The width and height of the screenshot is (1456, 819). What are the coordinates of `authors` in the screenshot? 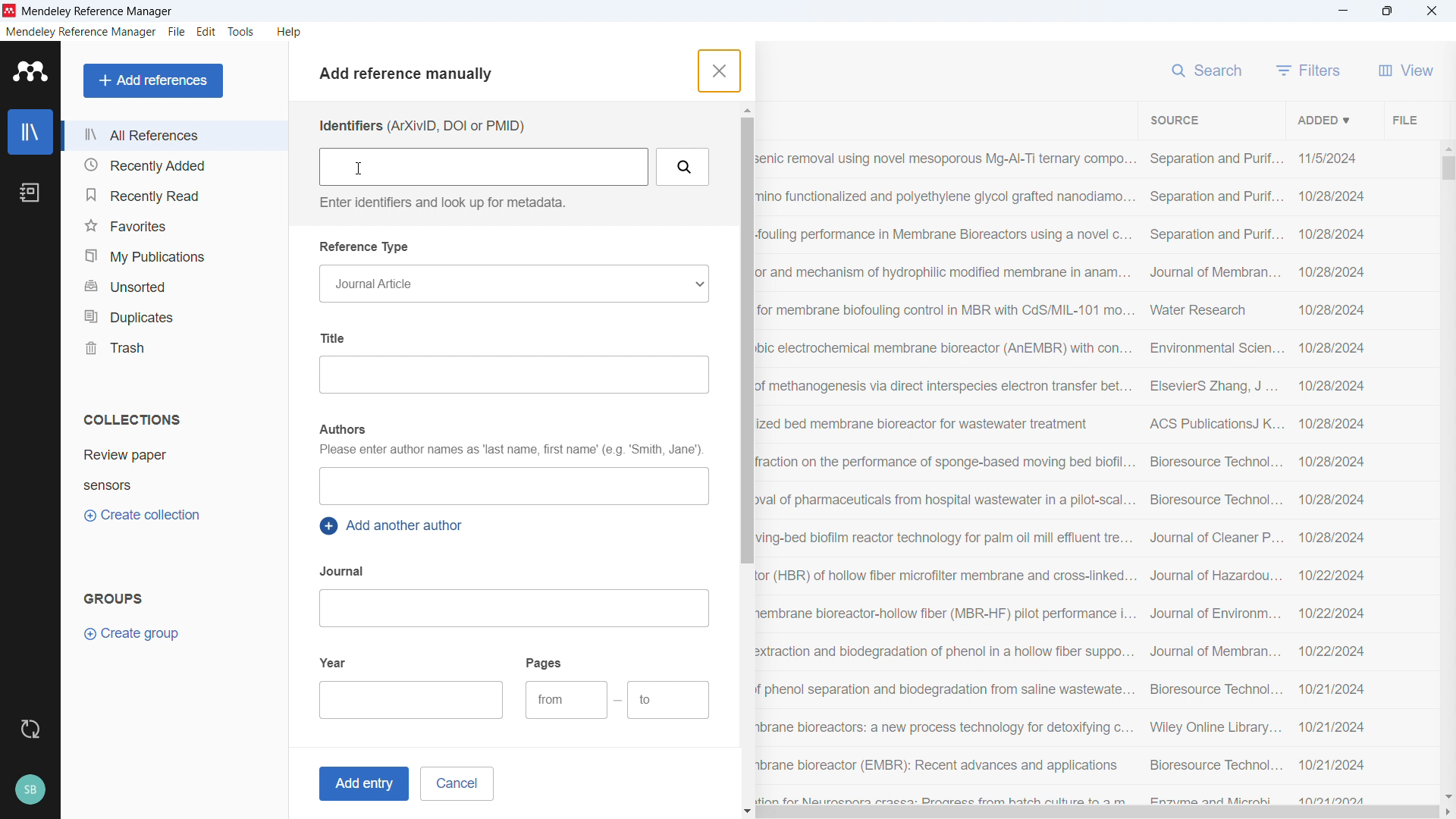 It's located at (341, 429).